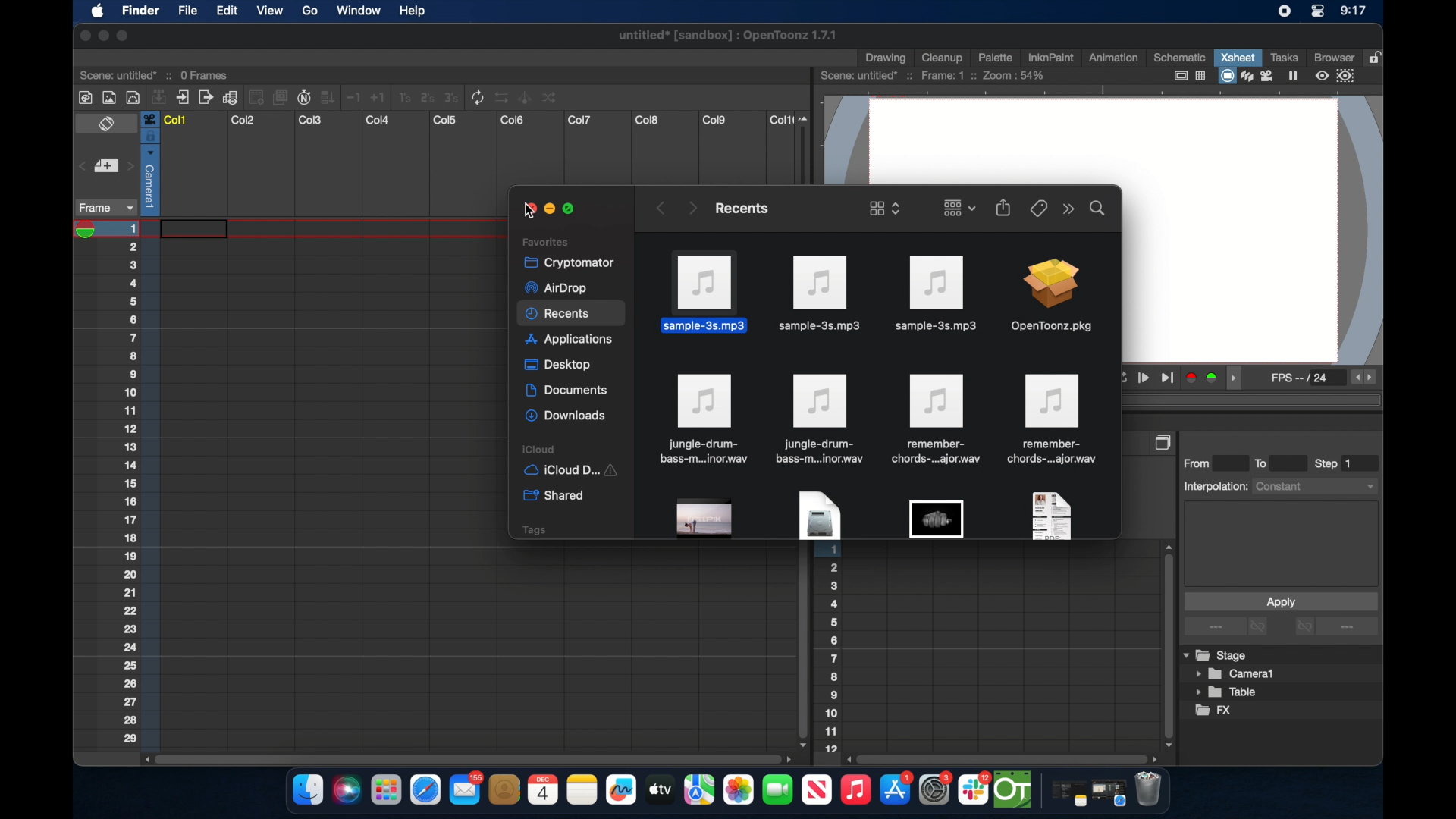 The width and height of the screenshot is (1456, 819). What do you see at coordinates (1332, 56) in the screenshot?
I see `browser` at bounding box center [1332, 56].